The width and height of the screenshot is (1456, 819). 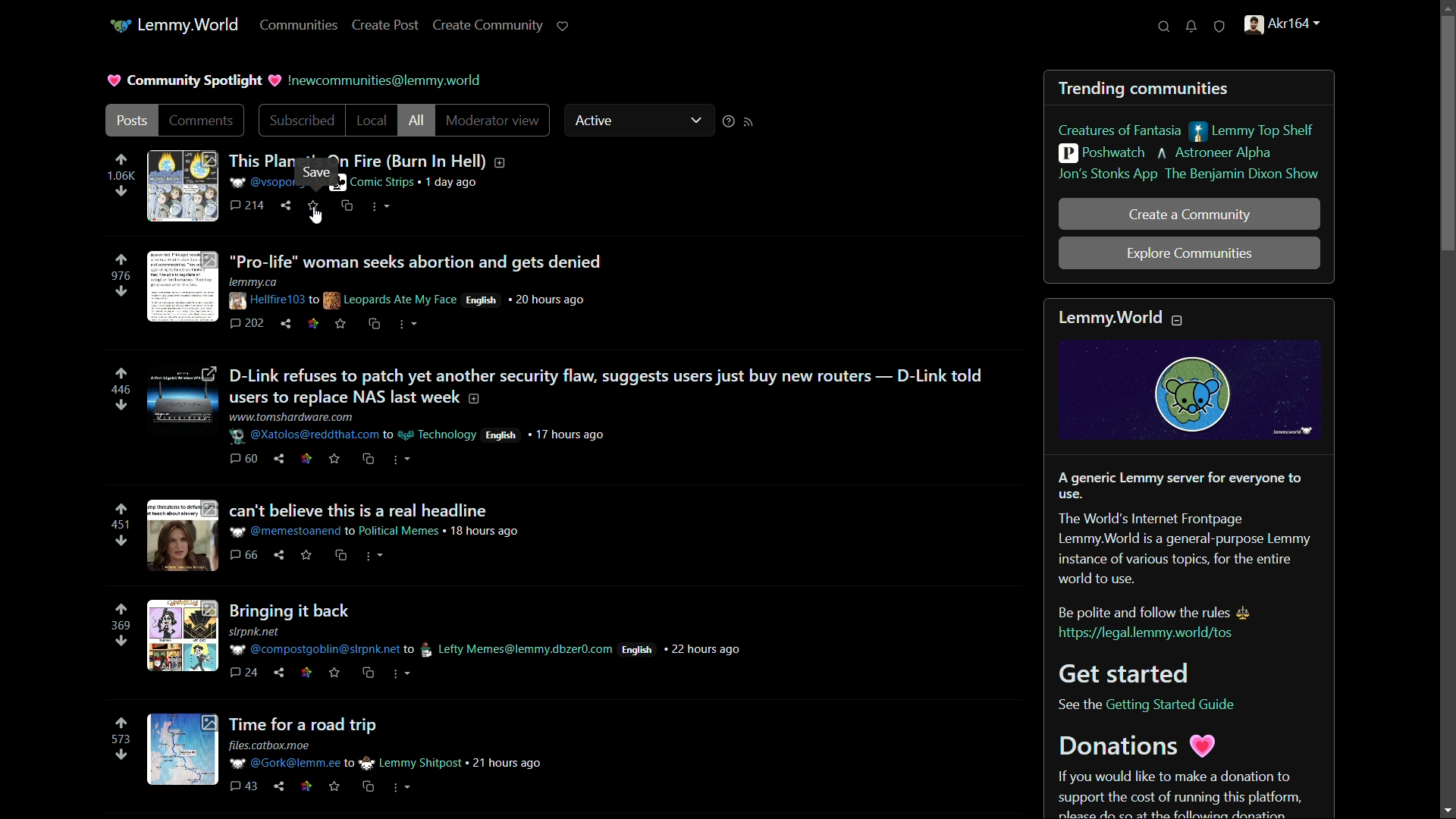 What do you see at coordinates (120, 404) in the screenshot?
I see `downvote` at bounding box center [120, 404].